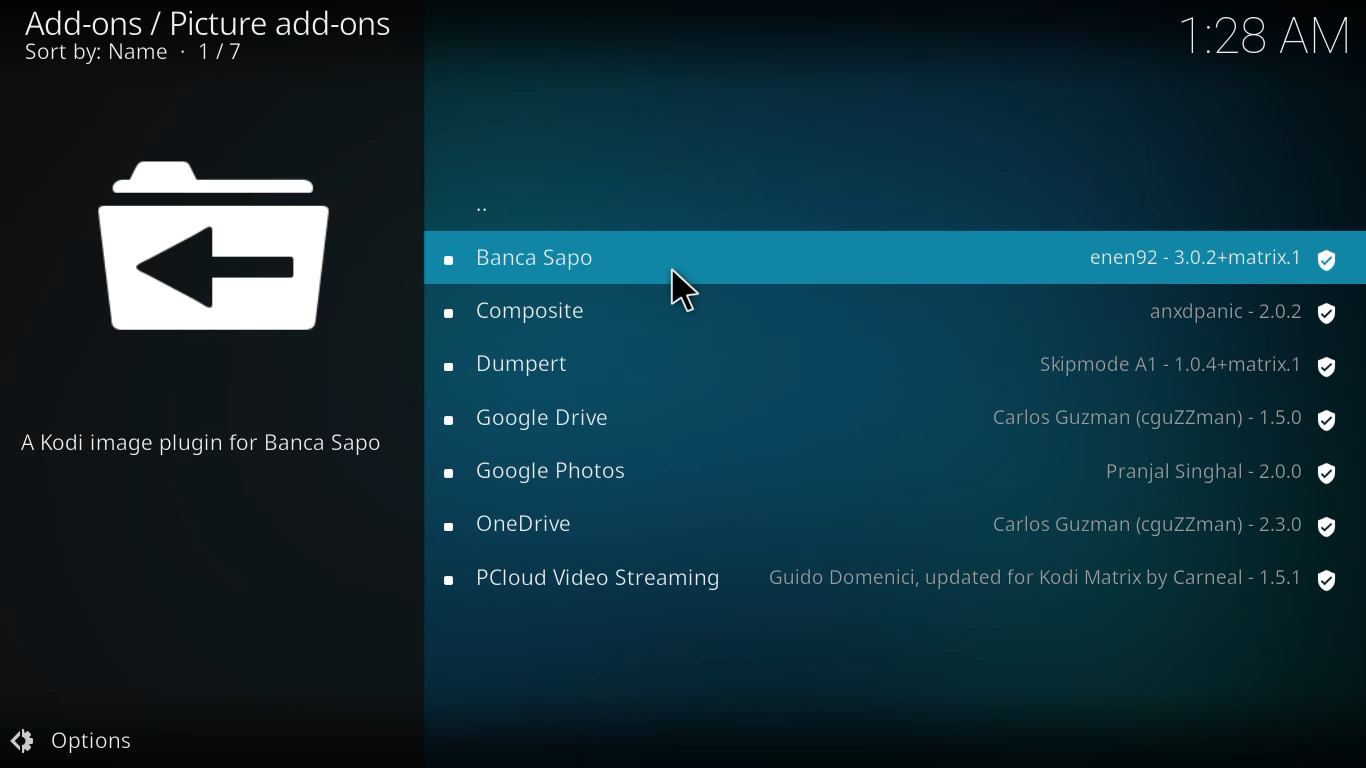 Image resolution: width=1366 pixels, height=768 pixels. What do you see at coordinates (684, 291) in the screenshot?
I see `cursor` at bounding box center [684, 291].